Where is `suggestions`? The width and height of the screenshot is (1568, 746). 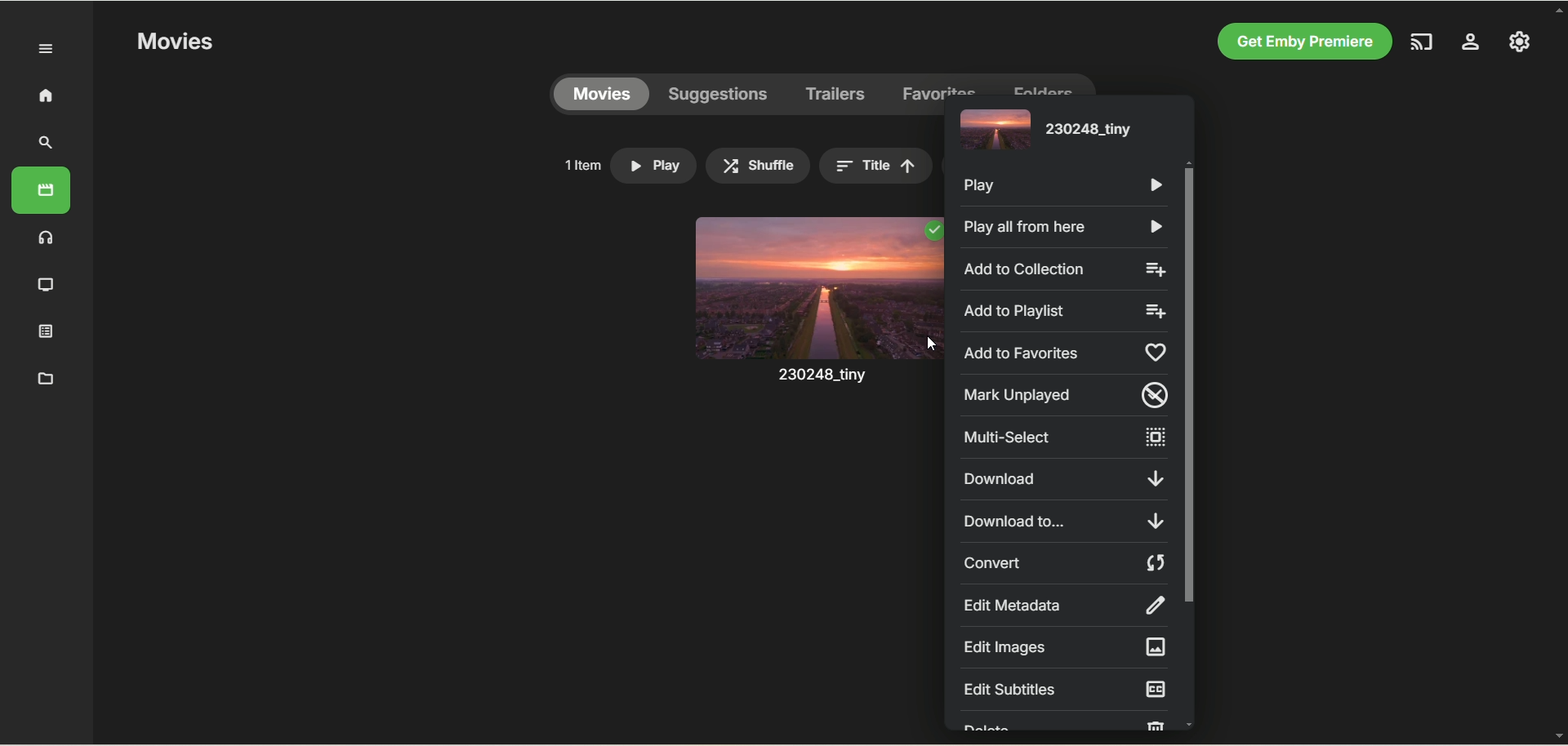 suggestions is located at coordinates (719, 95).